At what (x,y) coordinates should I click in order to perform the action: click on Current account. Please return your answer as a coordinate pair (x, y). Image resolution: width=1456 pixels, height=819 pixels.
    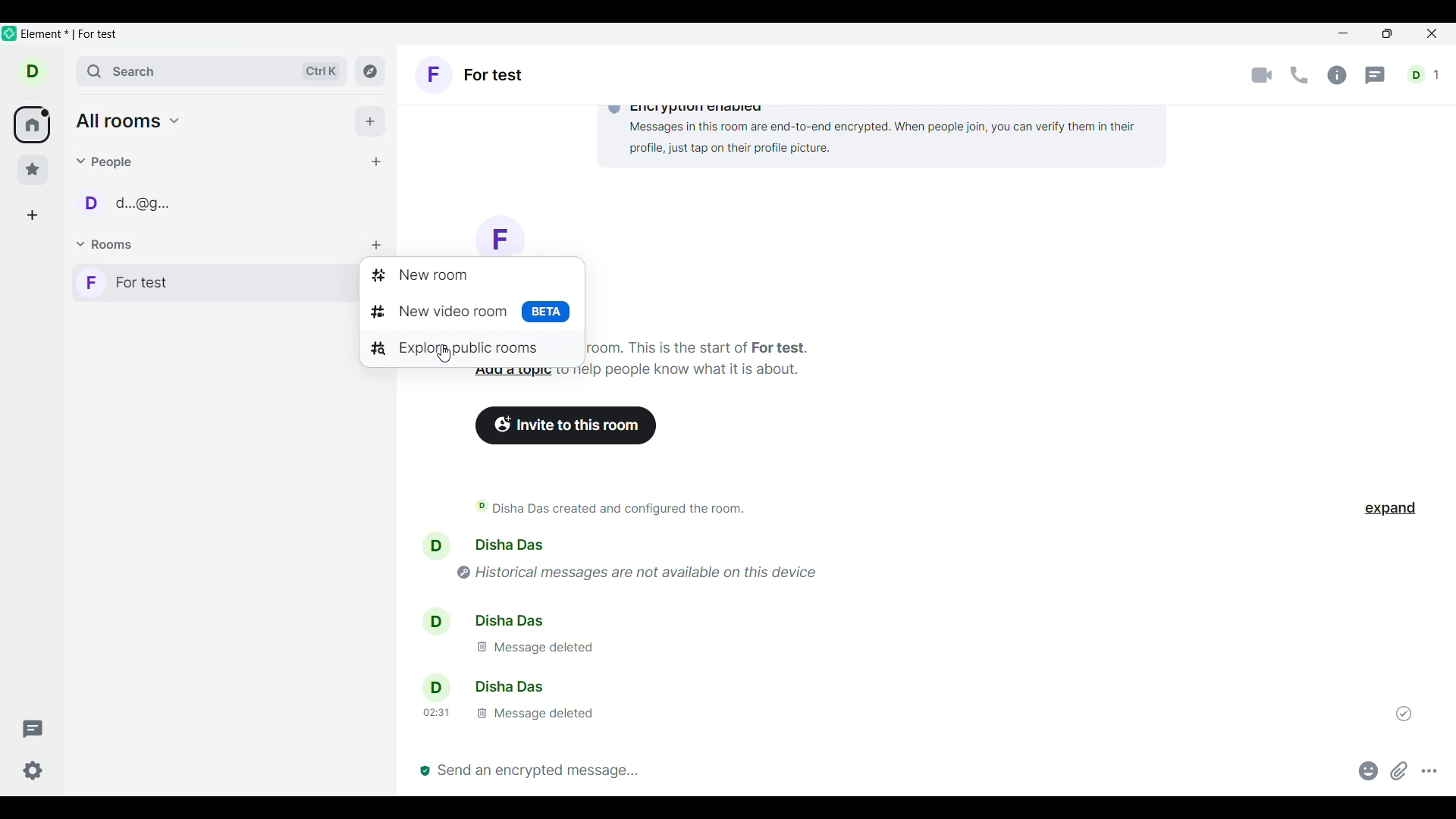
    Looking at the image, I should click on (33, 71).